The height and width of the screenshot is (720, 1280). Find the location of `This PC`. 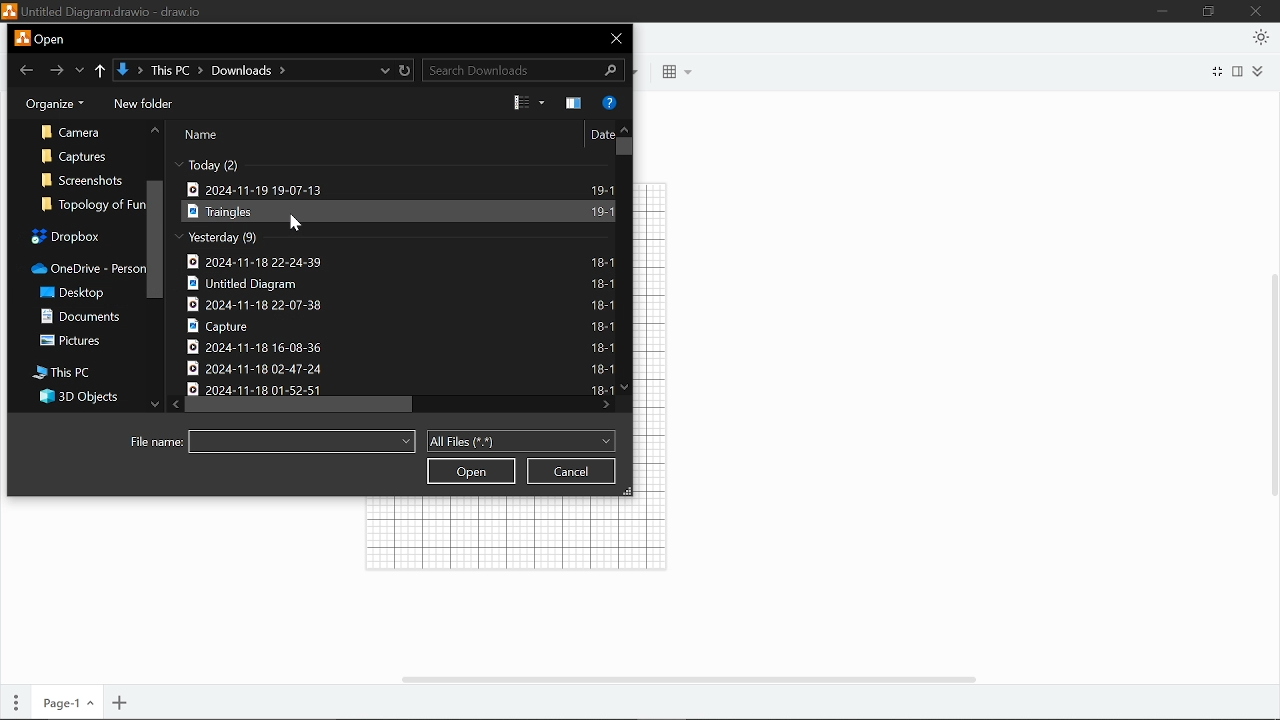

This PC is located at coordinates (63, 373).